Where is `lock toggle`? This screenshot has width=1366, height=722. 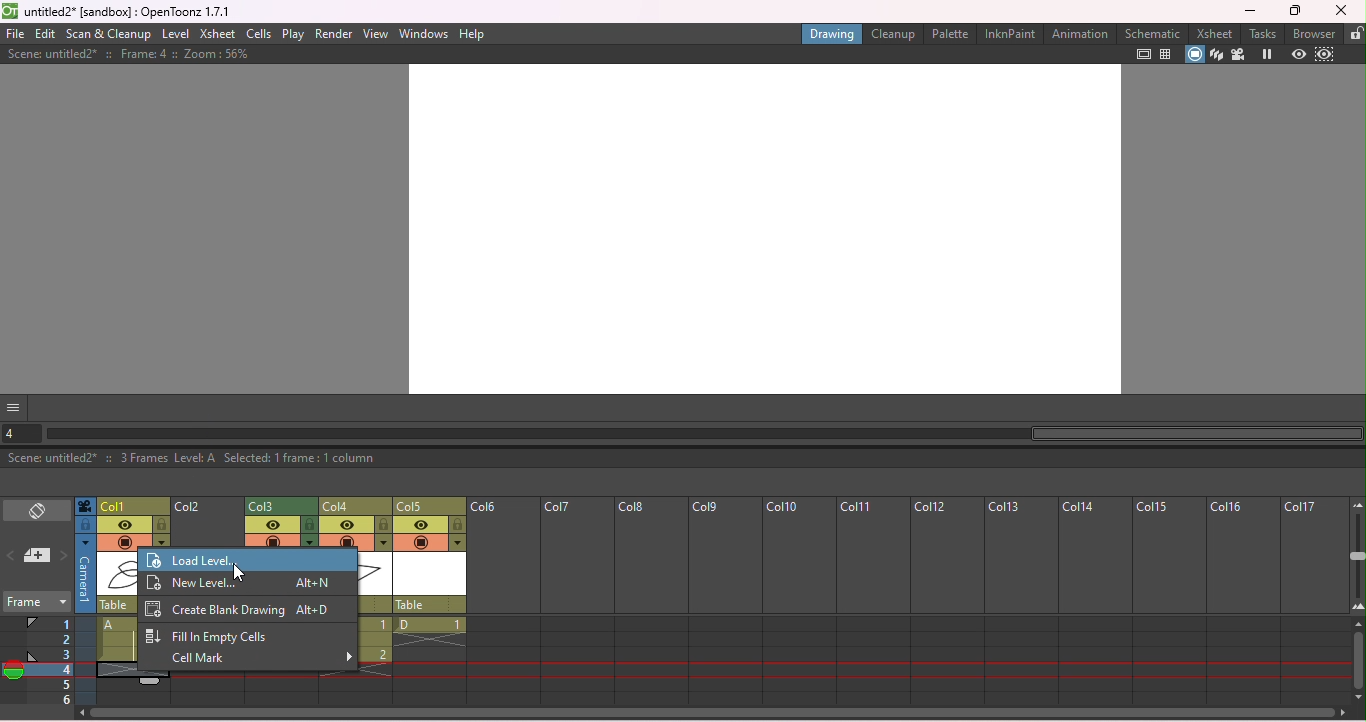 lock toggle is located at coordinates (162, 525).